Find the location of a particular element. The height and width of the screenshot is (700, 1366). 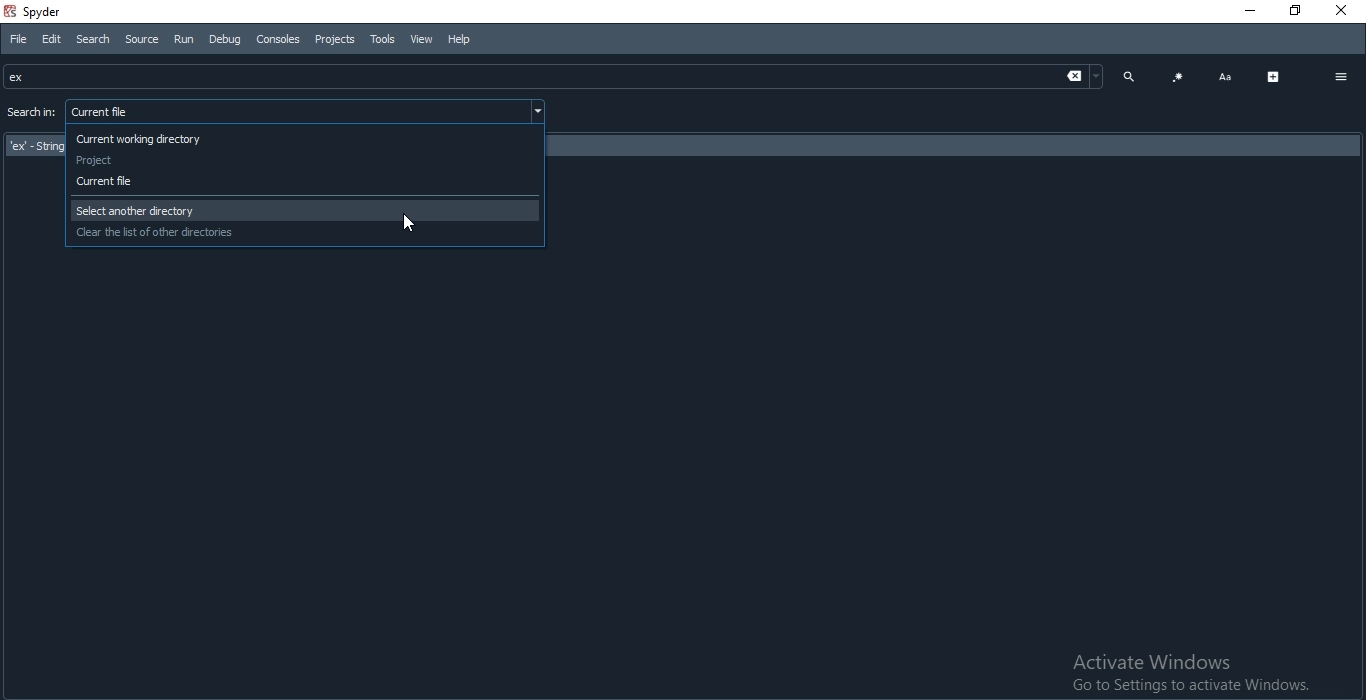

Edit is located at coordinates (52, 39).